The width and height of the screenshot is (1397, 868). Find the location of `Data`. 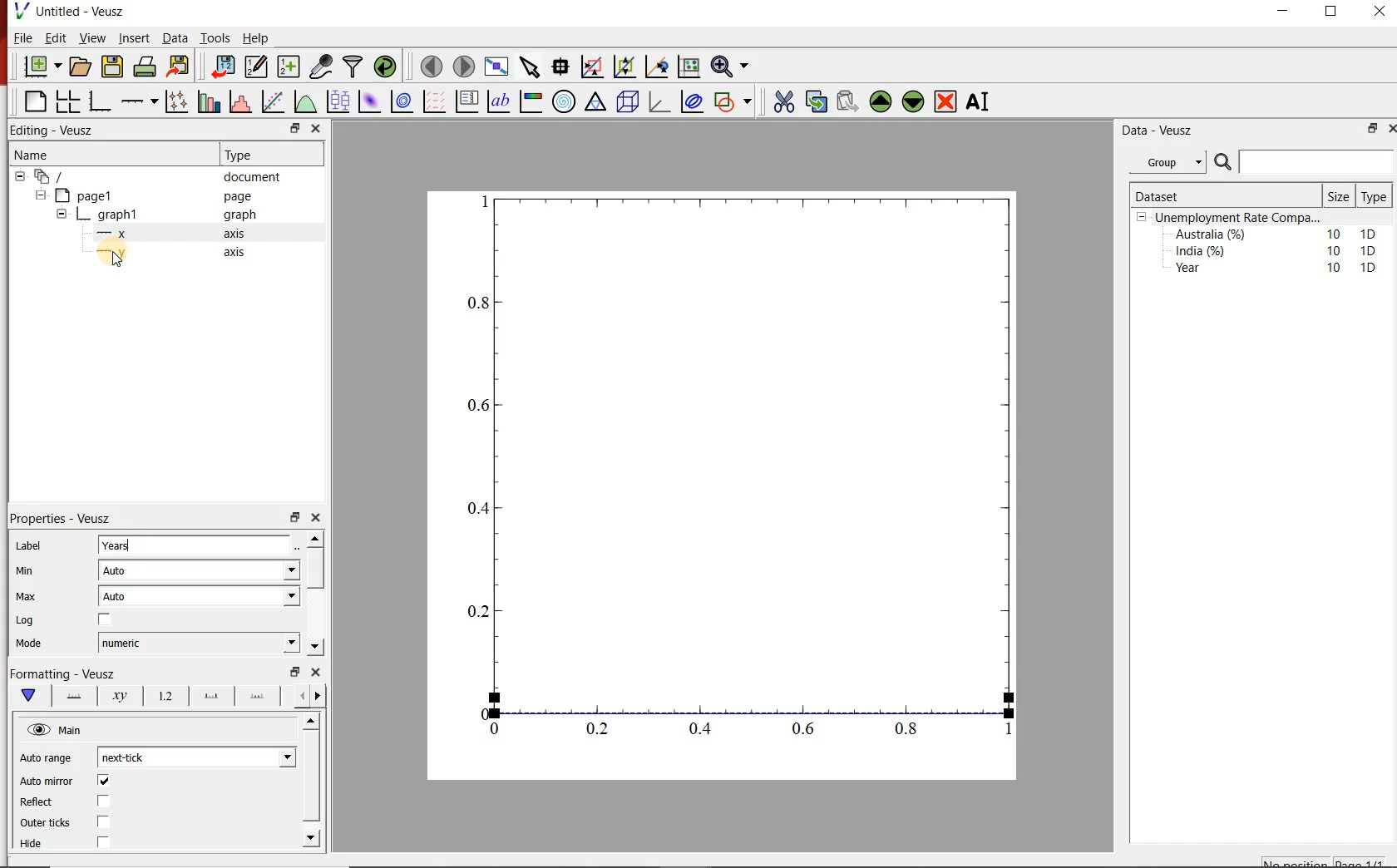

Data is located at coordinates (175, 38).